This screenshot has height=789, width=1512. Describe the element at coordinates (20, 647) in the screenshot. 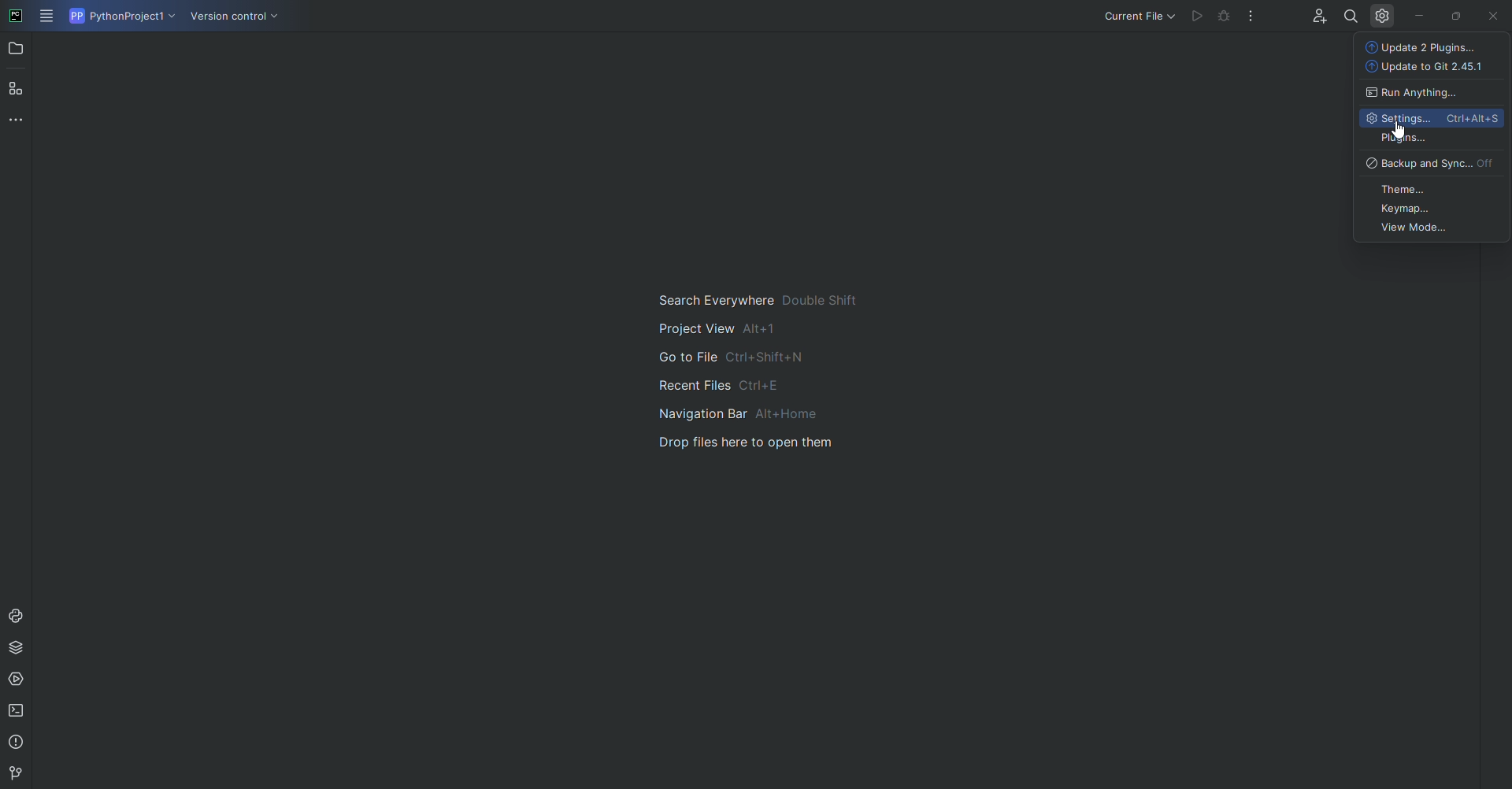

I see `Packages` at that location.